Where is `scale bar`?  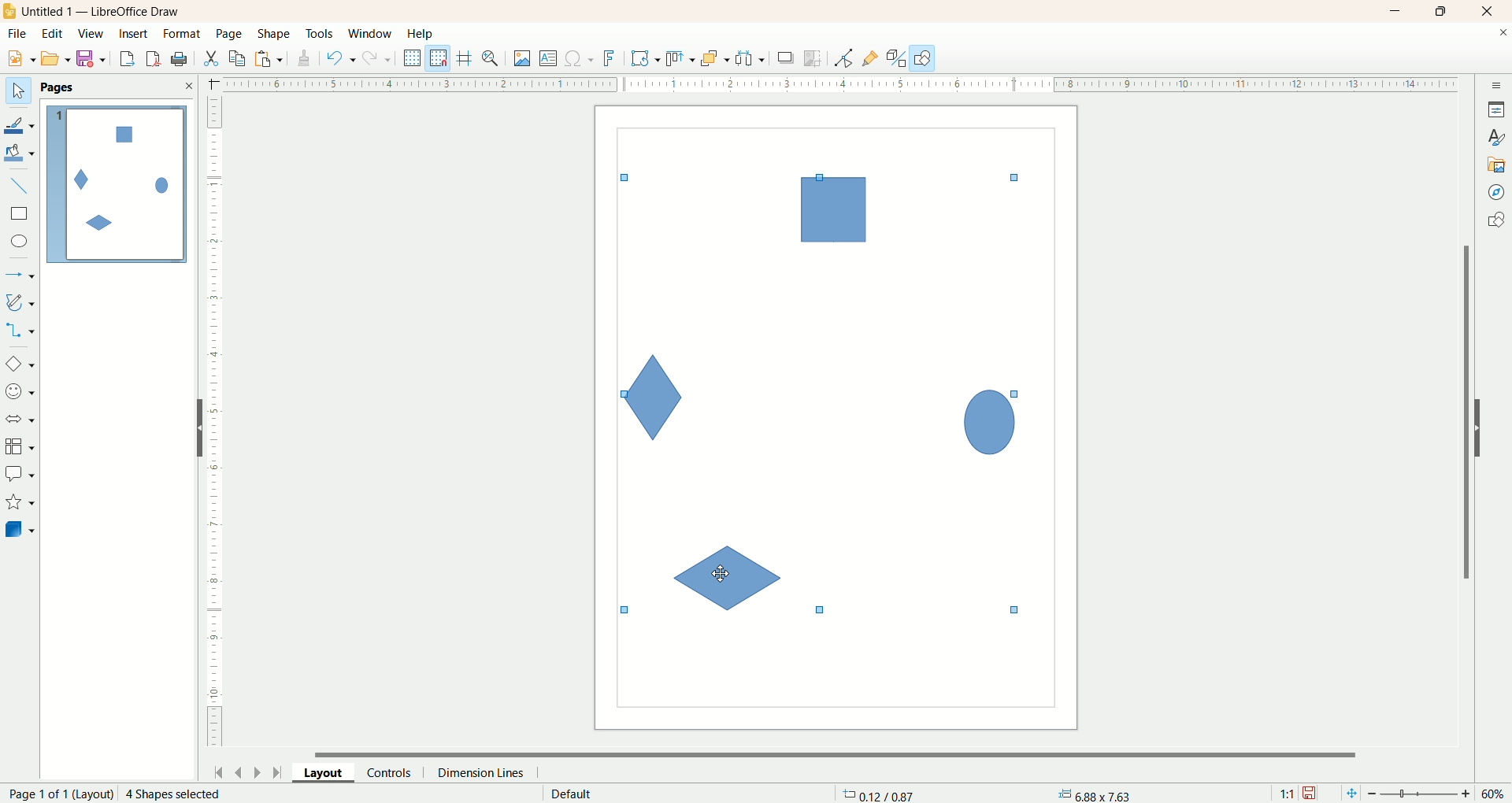
scale bar is located at coordinates (214, 425).